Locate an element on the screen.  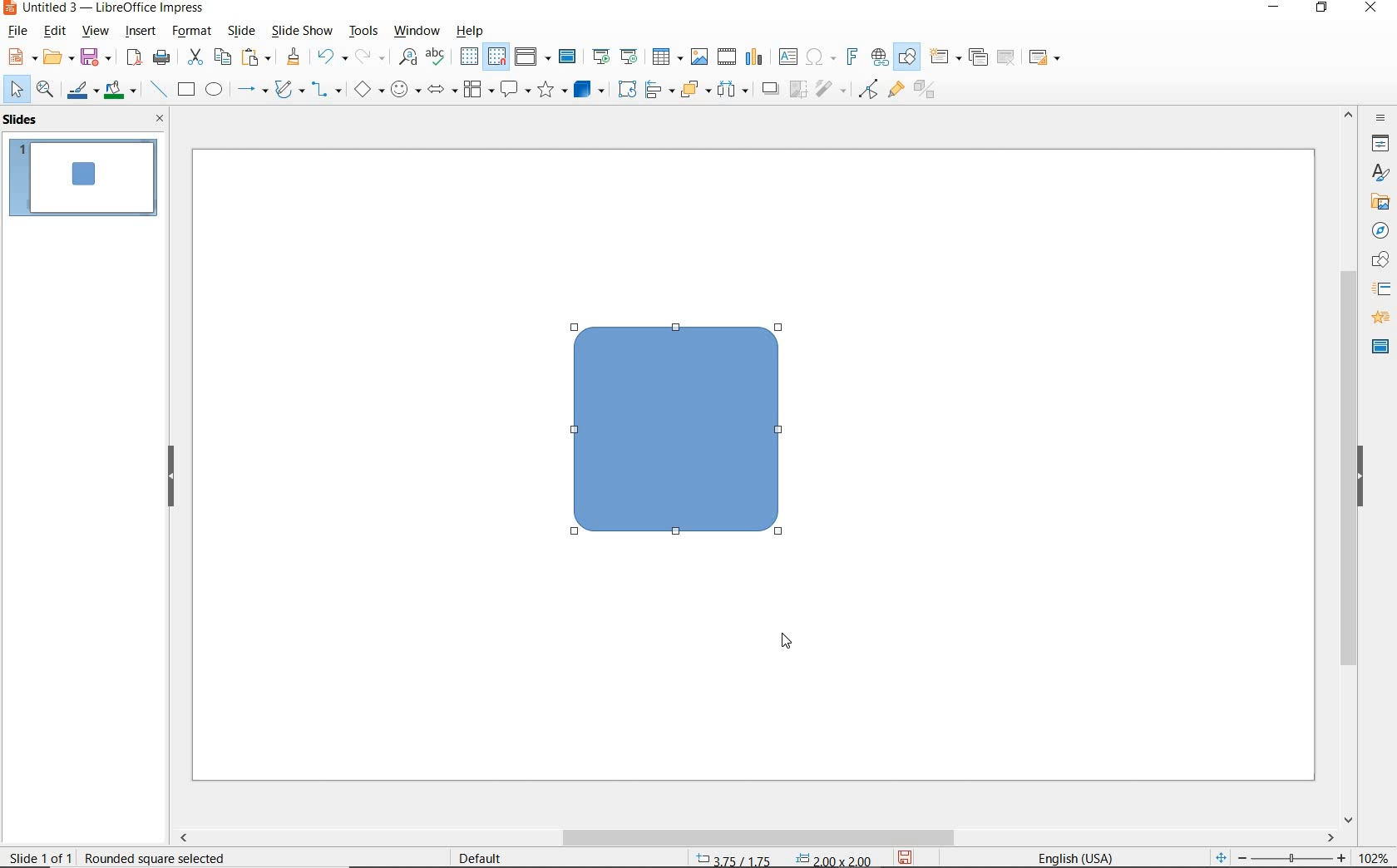
connectors is located at coordinates (326, 91).